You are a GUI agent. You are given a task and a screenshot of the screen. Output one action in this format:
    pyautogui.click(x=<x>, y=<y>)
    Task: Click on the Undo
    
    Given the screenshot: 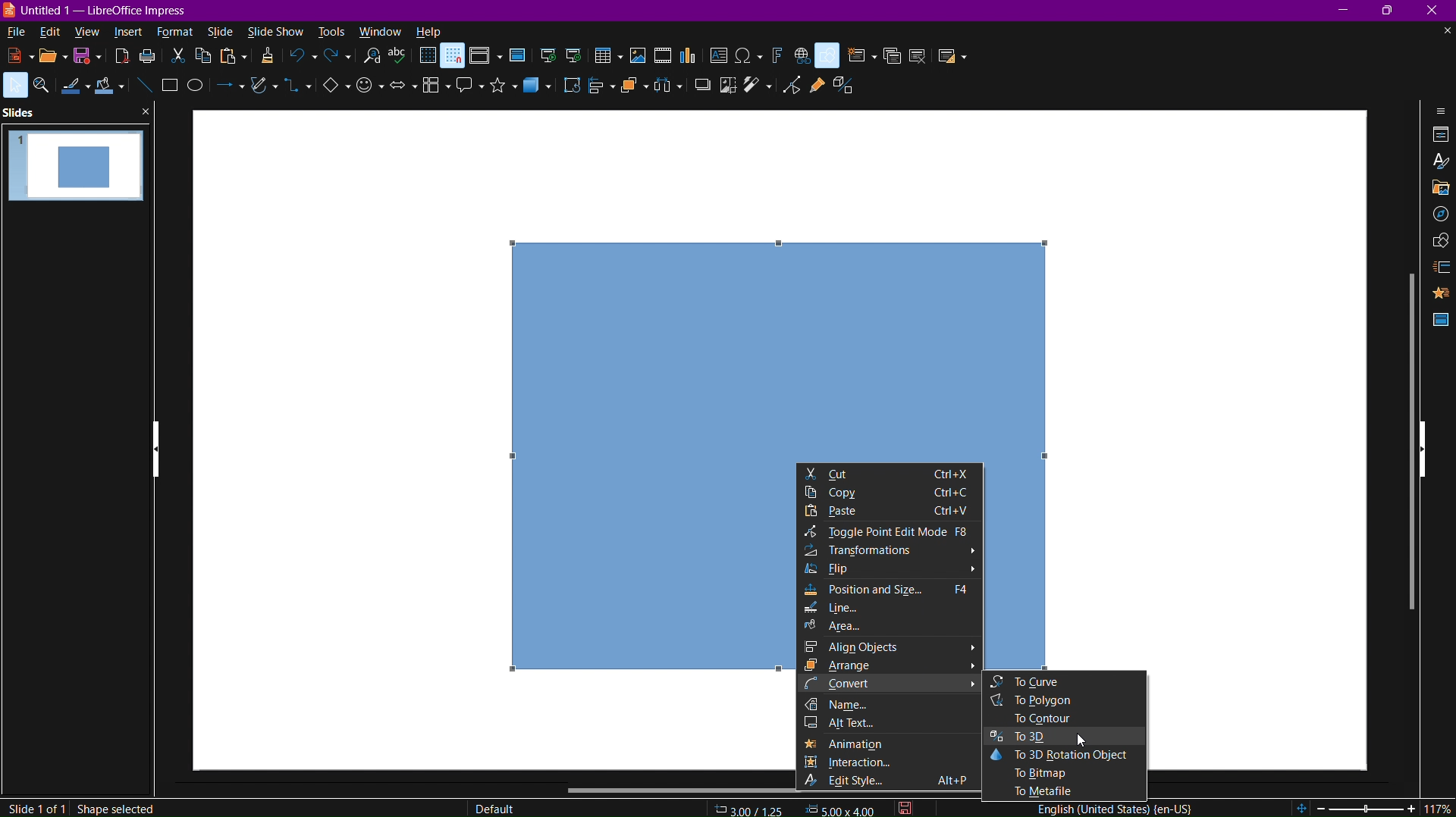 What is the action you would take?
    pyautogui.click(x=303, y=58)
    